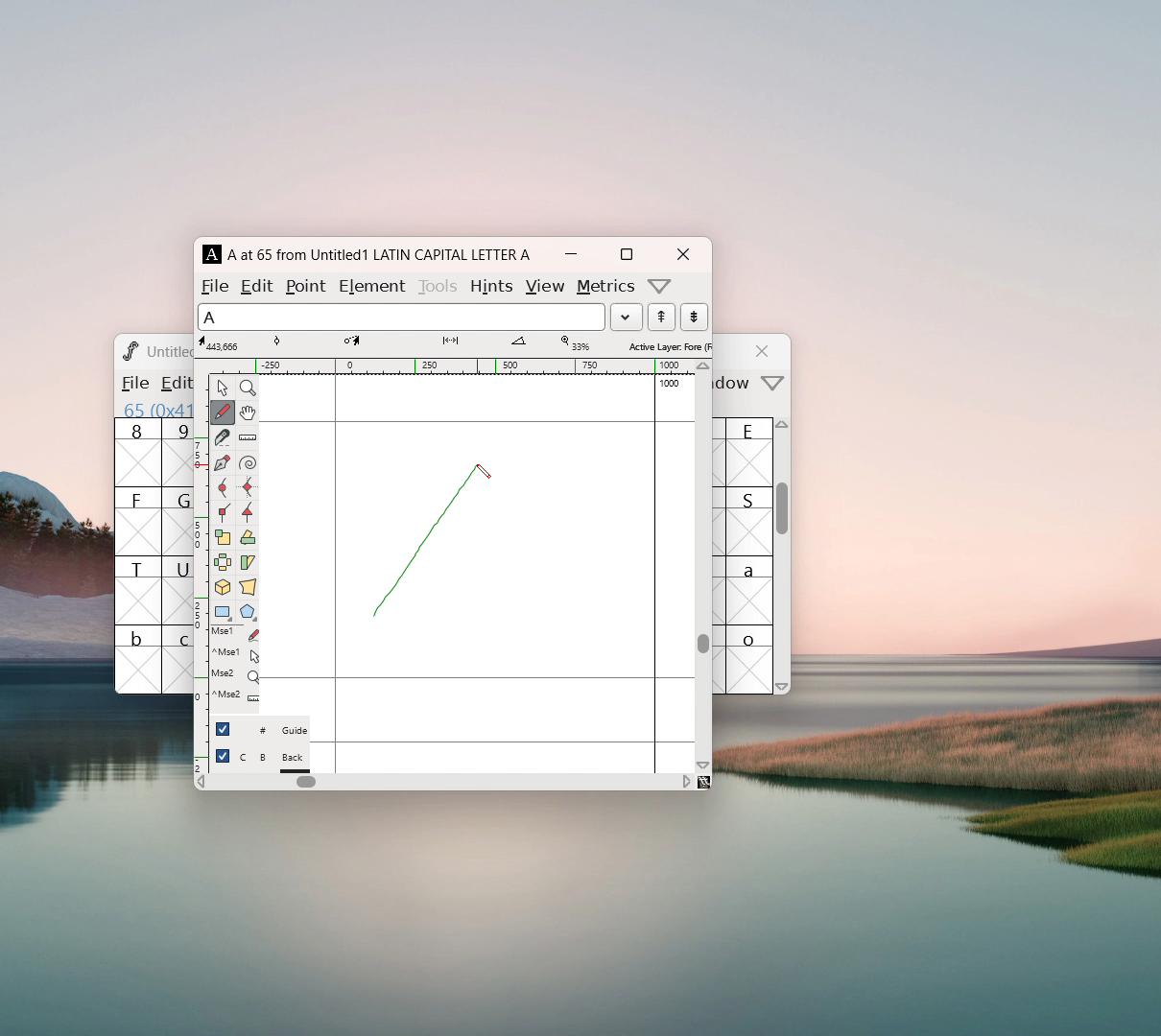 Image resolution: width=1161 pixels, height=1036 pixels. What do you see at coordinates (249, 614) in the screenshot?
I see `polygon or star` at bounding box center [249, 614].